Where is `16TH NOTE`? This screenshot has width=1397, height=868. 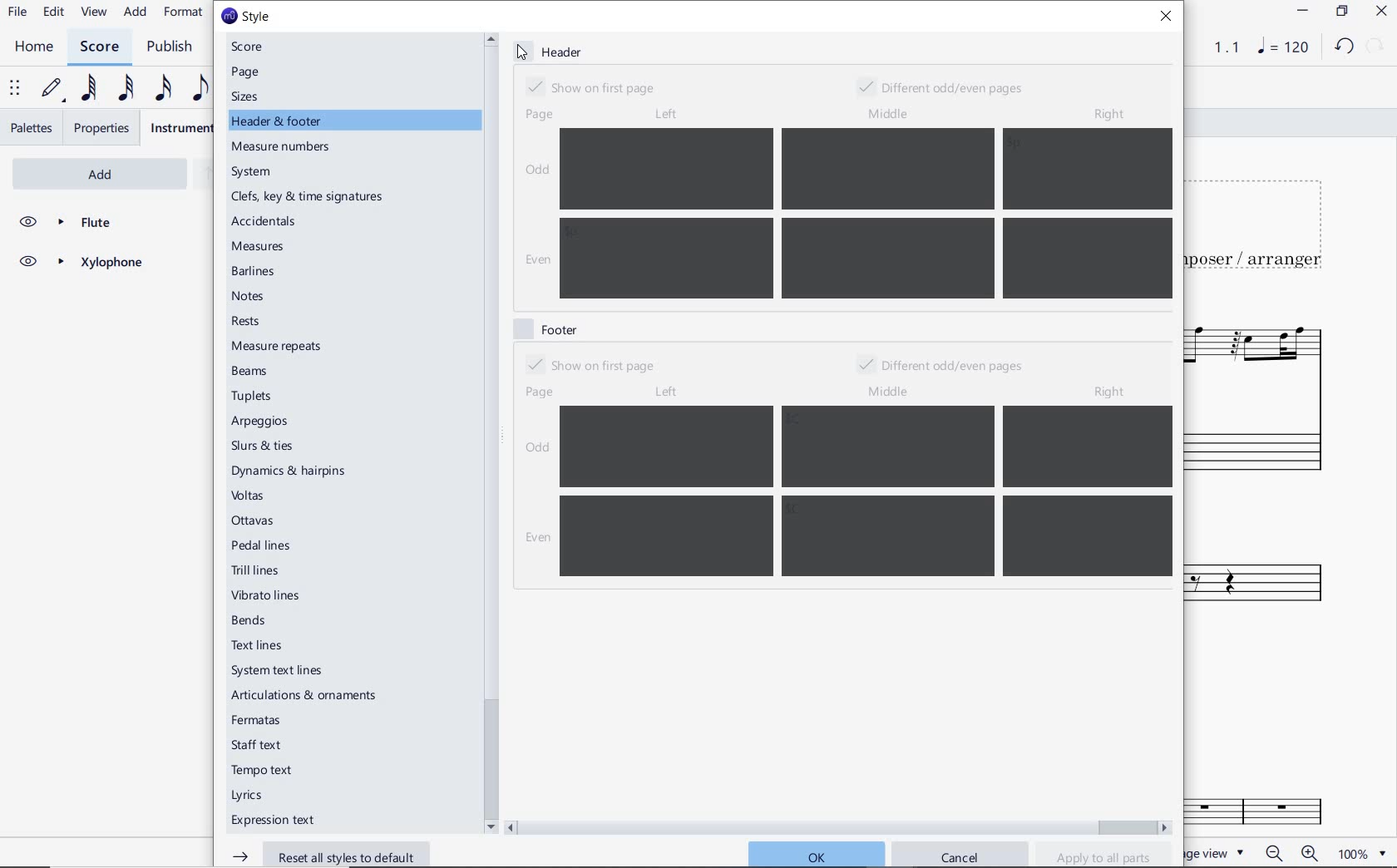 16TH NOTE is located at coordinates (163, 87).